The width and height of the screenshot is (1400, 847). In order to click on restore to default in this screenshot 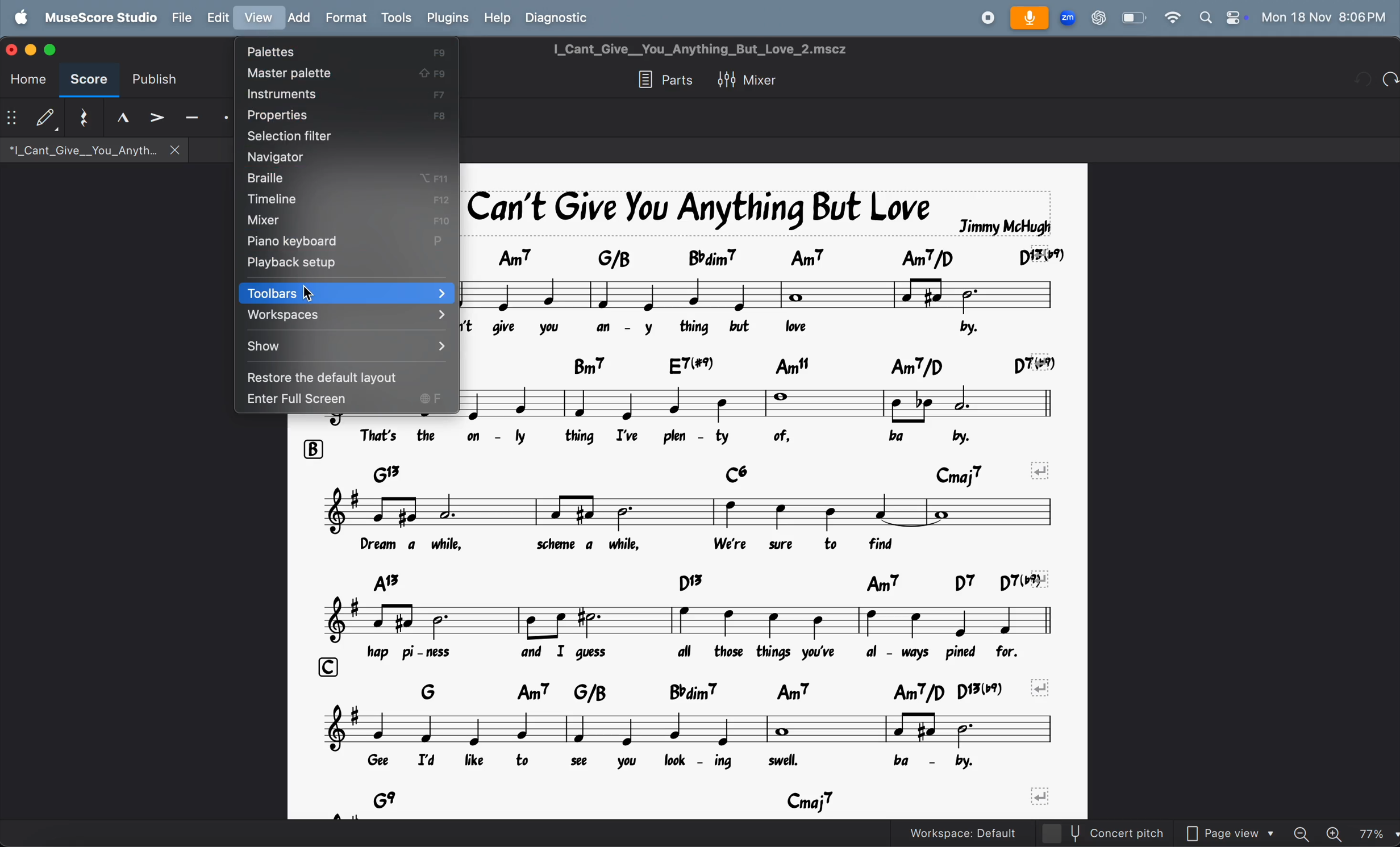, I will do `click(343, 377)`.